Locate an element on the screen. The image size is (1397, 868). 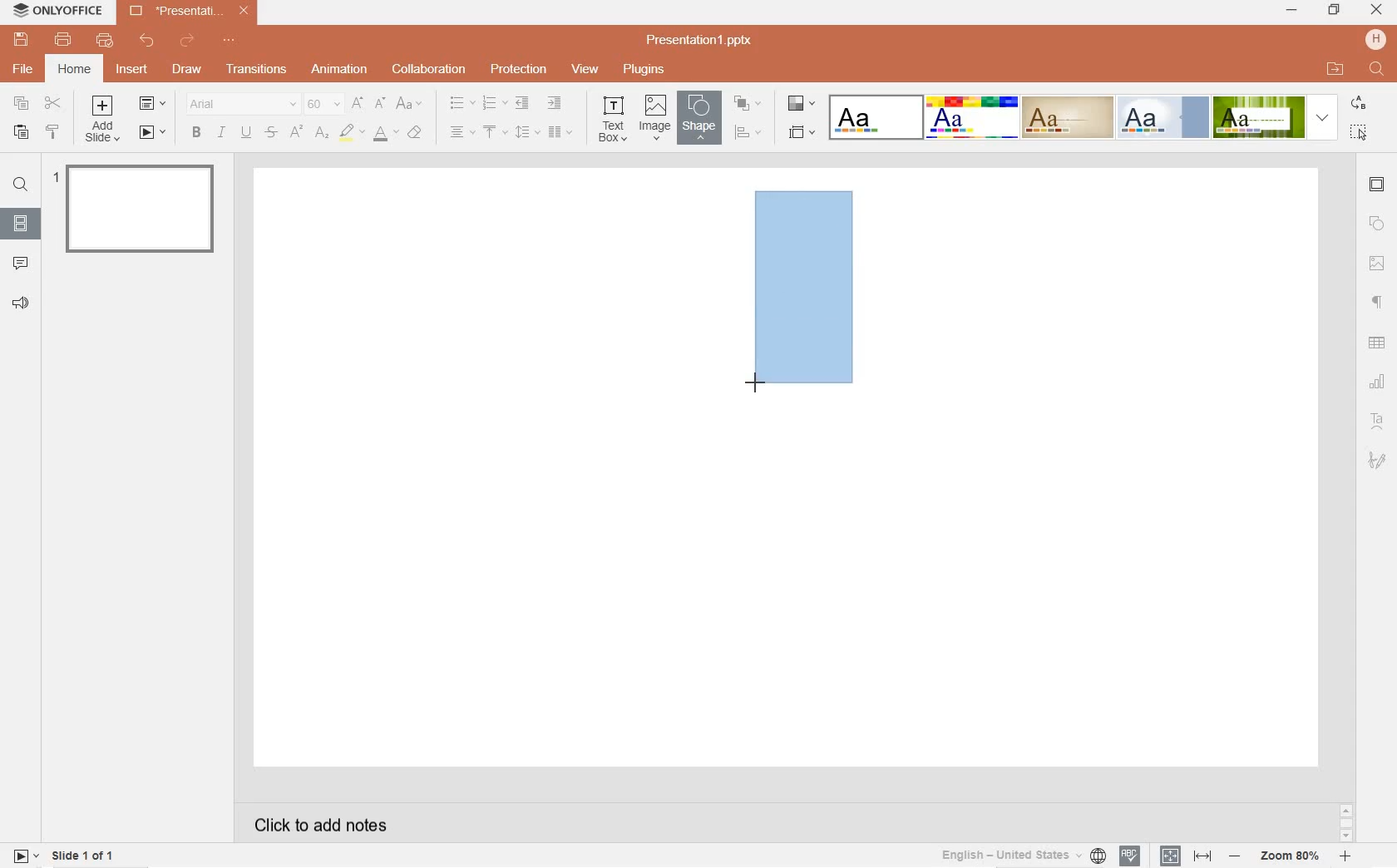
expand  is located at coordinates (1322, 117).